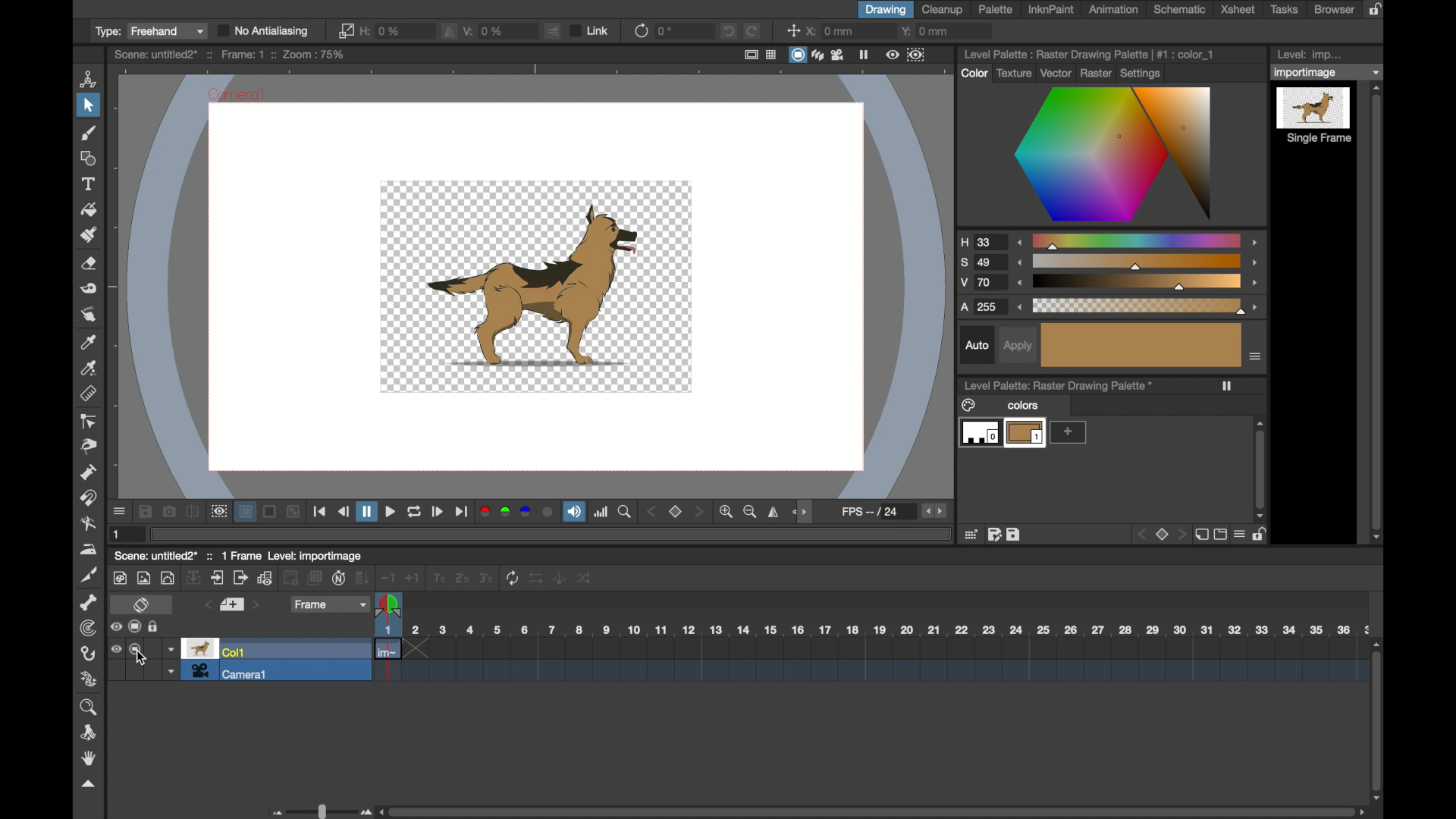 This screenshot has height=819, width=1456. I want to click on scroll box, so click(1378, 313).